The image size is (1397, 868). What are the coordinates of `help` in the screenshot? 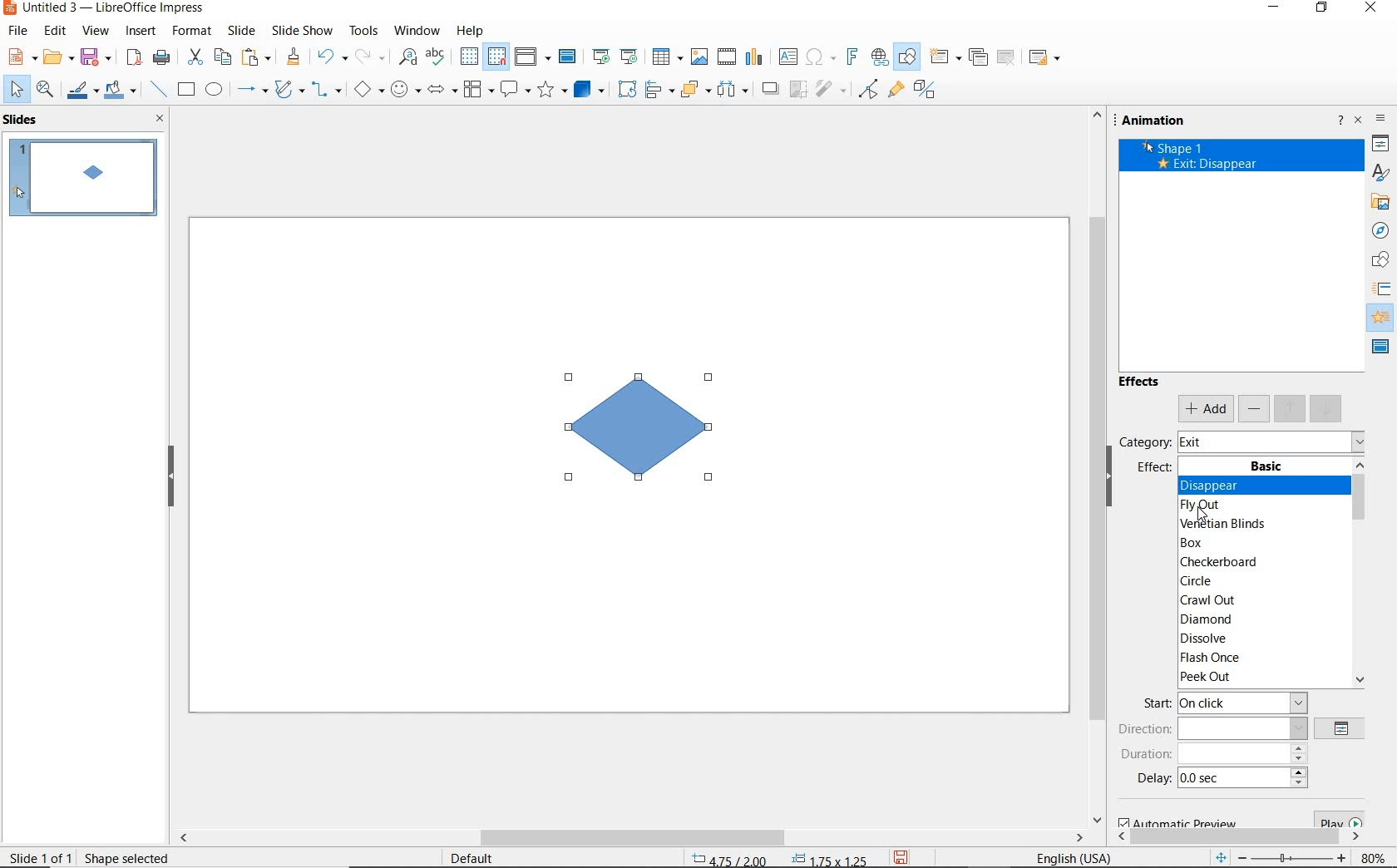 It's located at (471, 31).